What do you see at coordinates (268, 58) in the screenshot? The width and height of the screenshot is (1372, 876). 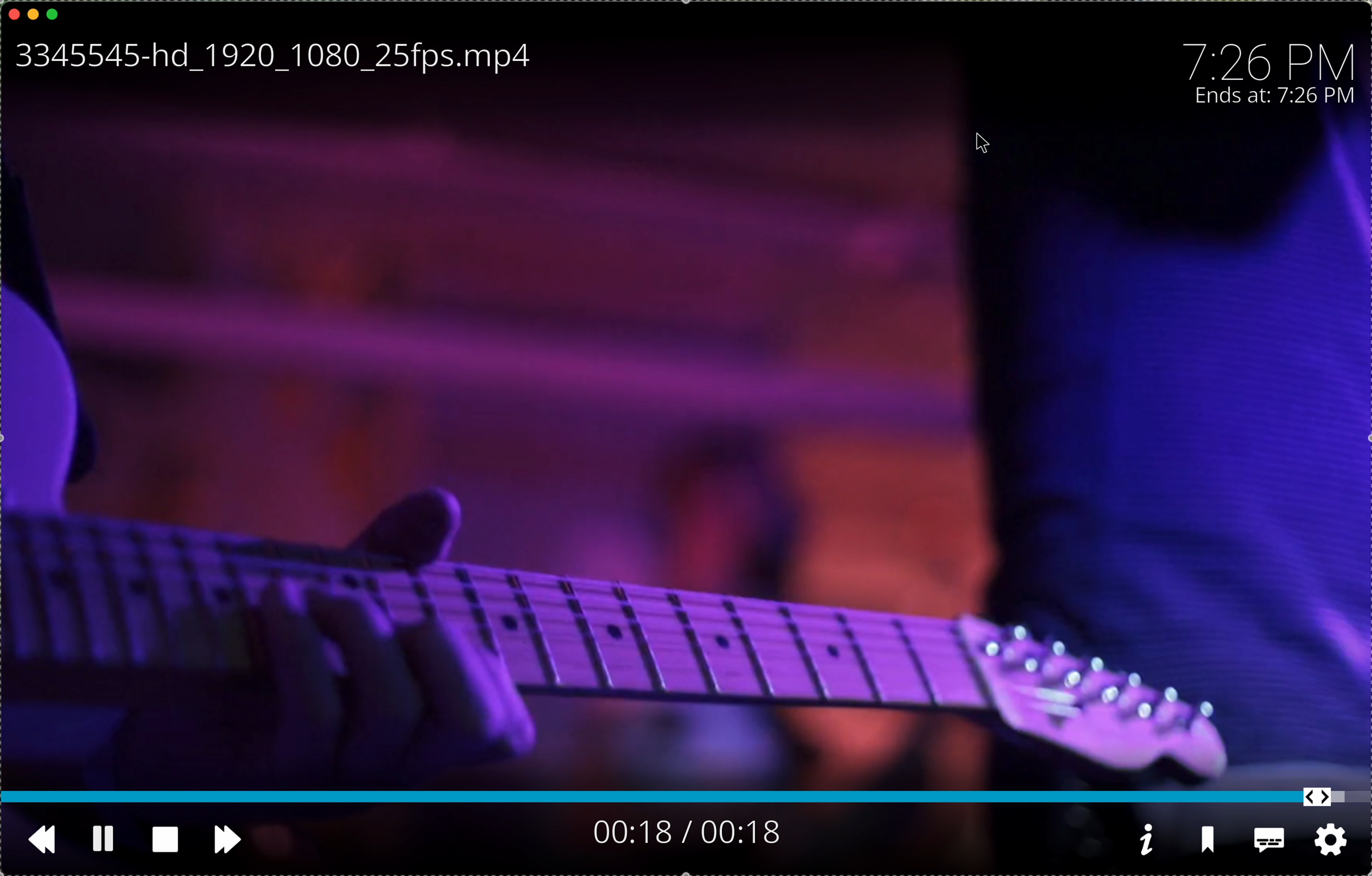 I see `name file` at bounding box center [268, 58].